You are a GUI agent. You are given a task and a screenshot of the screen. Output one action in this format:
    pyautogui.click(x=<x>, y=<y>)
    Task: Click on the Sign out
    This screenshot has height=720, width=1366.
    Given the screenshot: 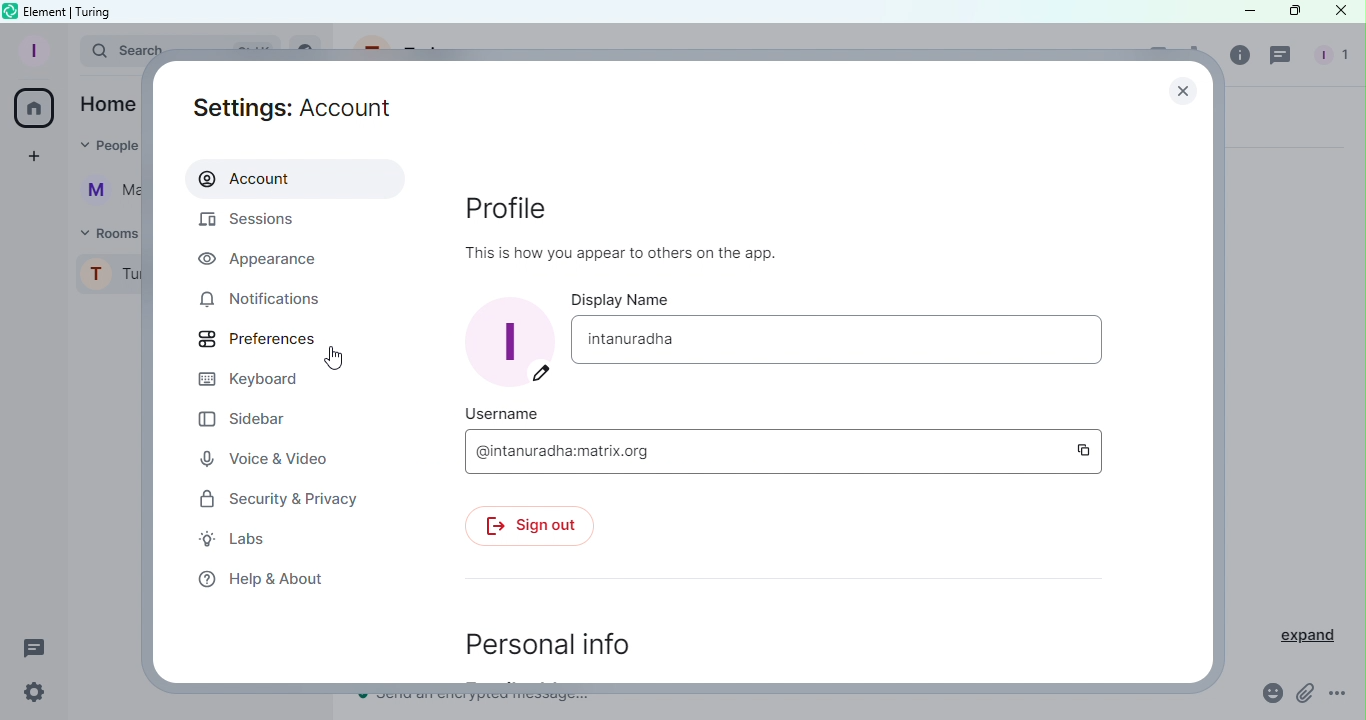 What is the action you would take?
    pyautogui.click(x=527, y=525)
    